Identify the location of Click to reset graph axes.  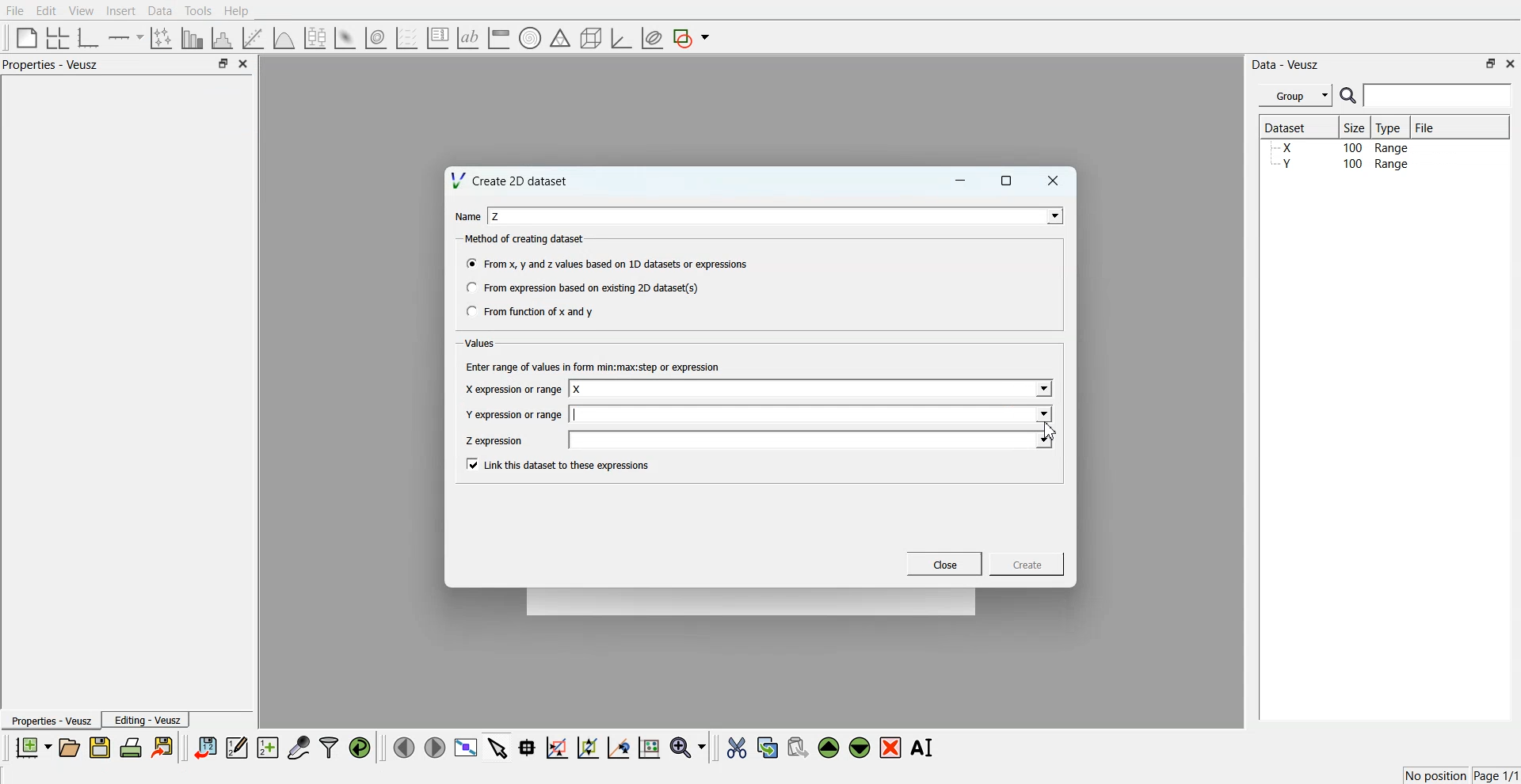
(649, 746).